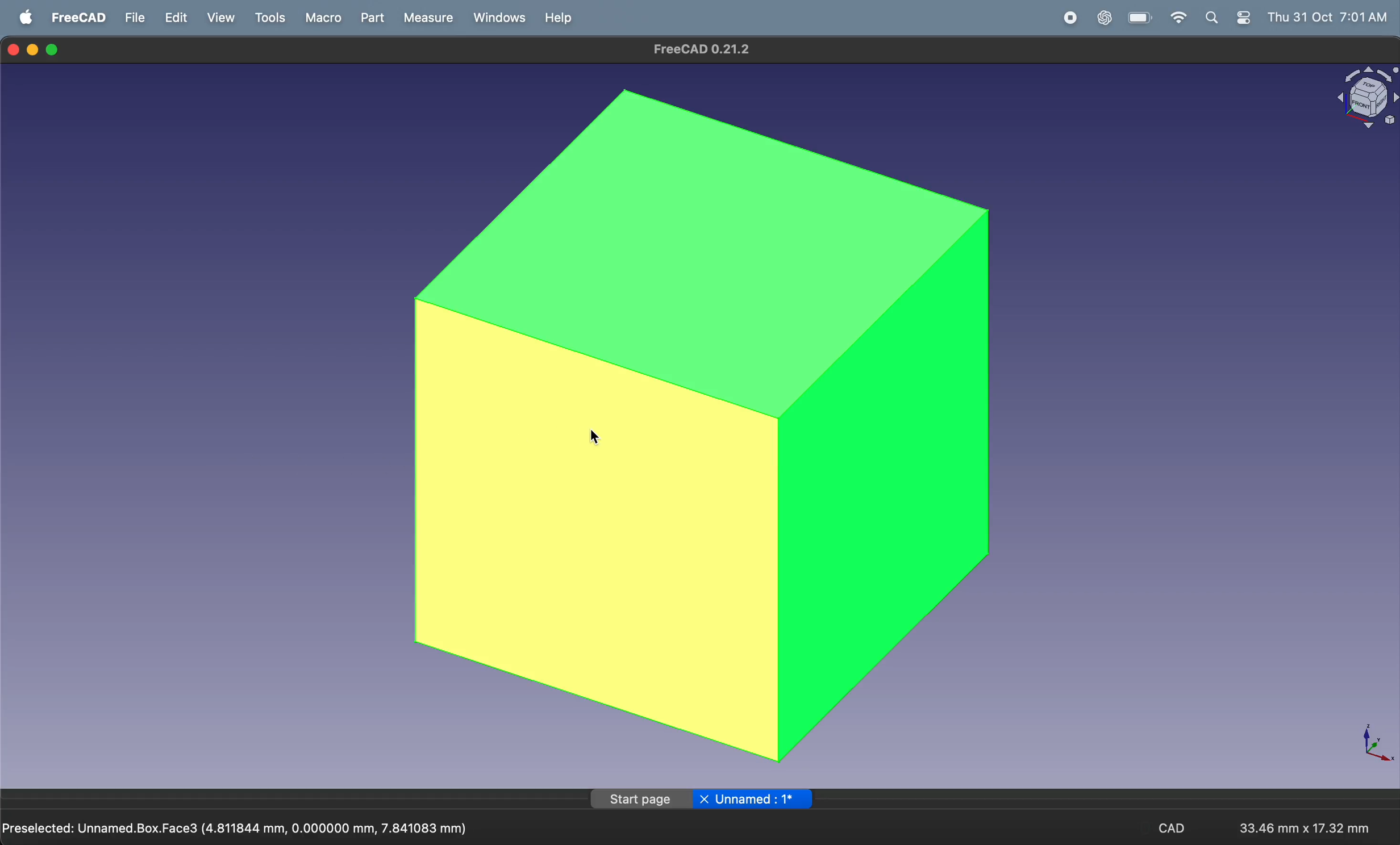 The image size is (1400, 845). What do you see at coordinates (704, 425) in the screenshot?
I see `box` at bounding box center [704, 425].